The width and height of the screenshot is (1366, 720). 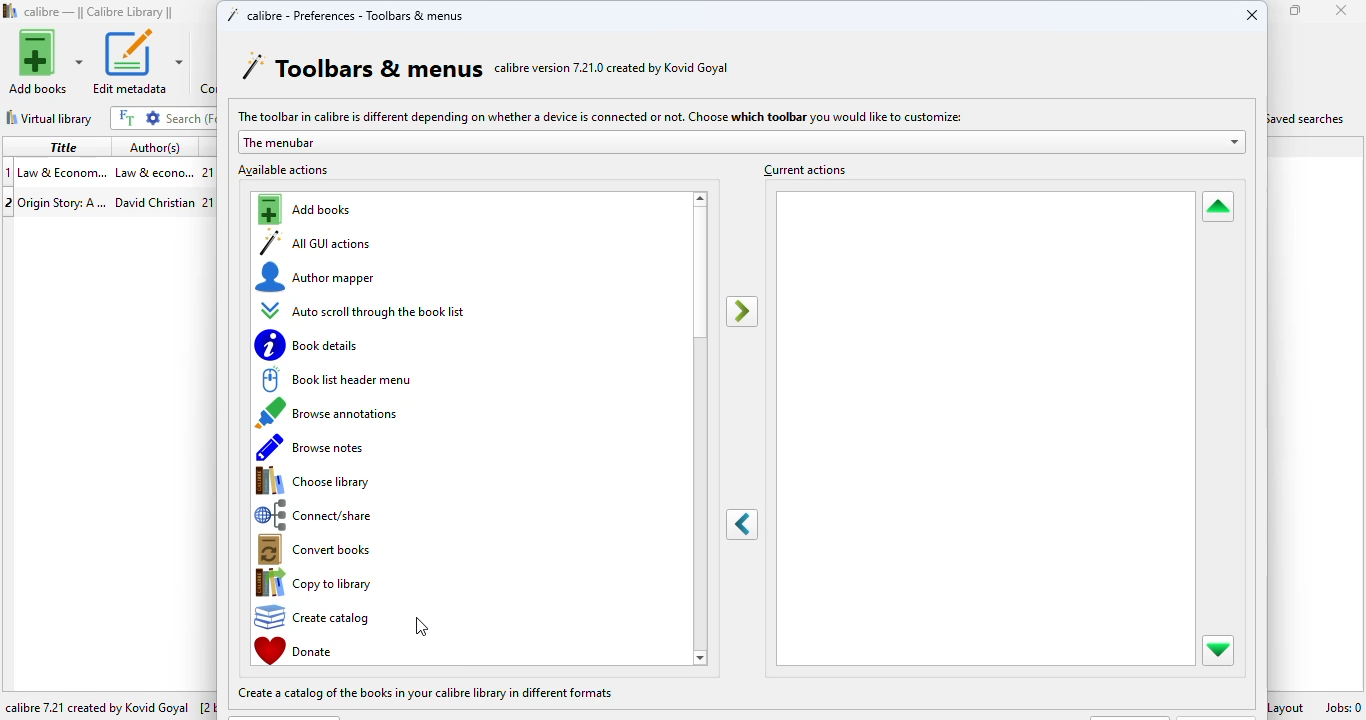 I want to click on author mapper, so click(x=318, y=276).